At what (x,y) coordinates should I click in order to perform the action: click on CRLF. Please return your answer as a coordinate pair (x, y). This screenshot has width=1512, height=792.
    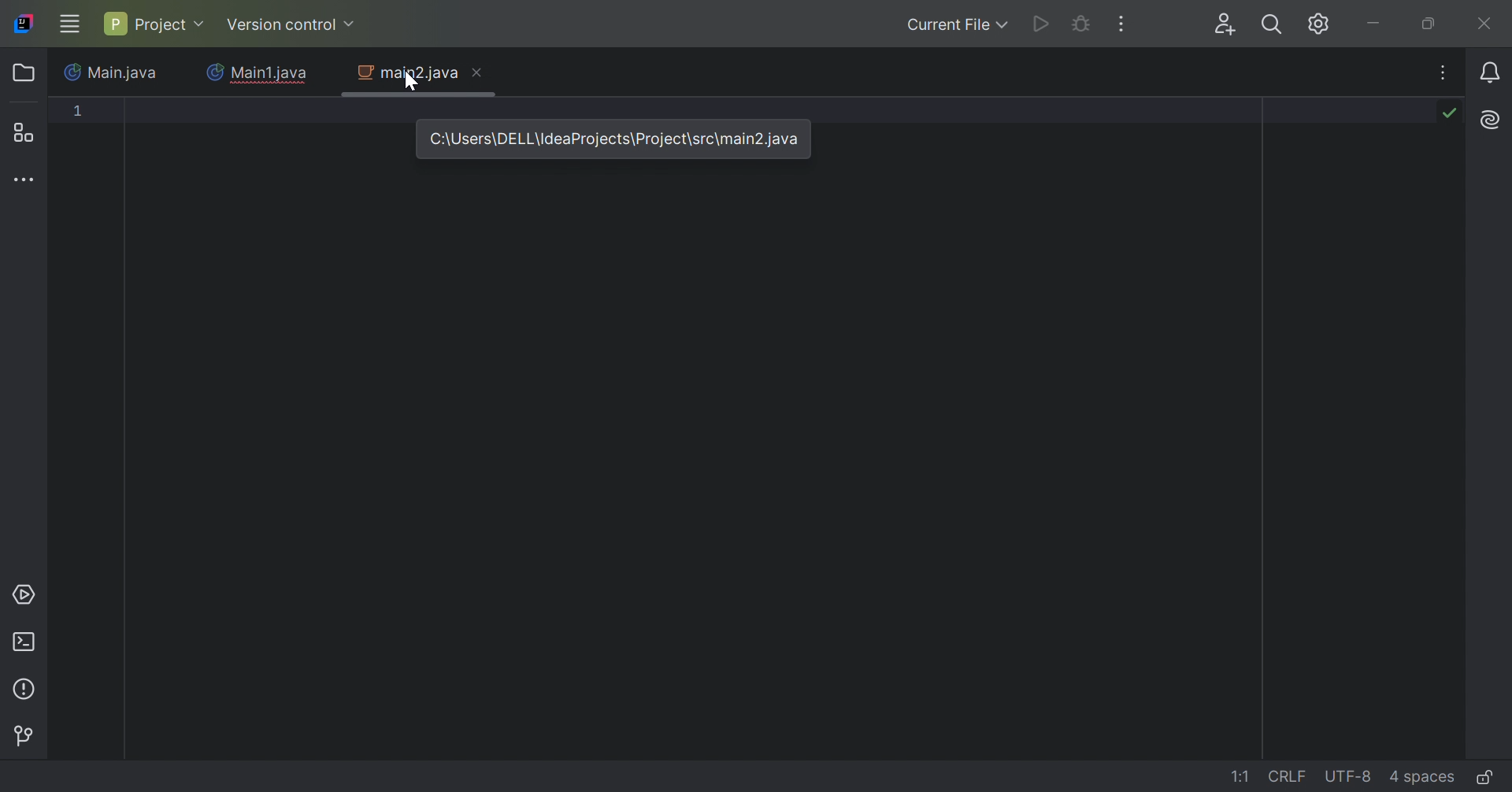
    Looking at the image, I should click on (1289, 775).